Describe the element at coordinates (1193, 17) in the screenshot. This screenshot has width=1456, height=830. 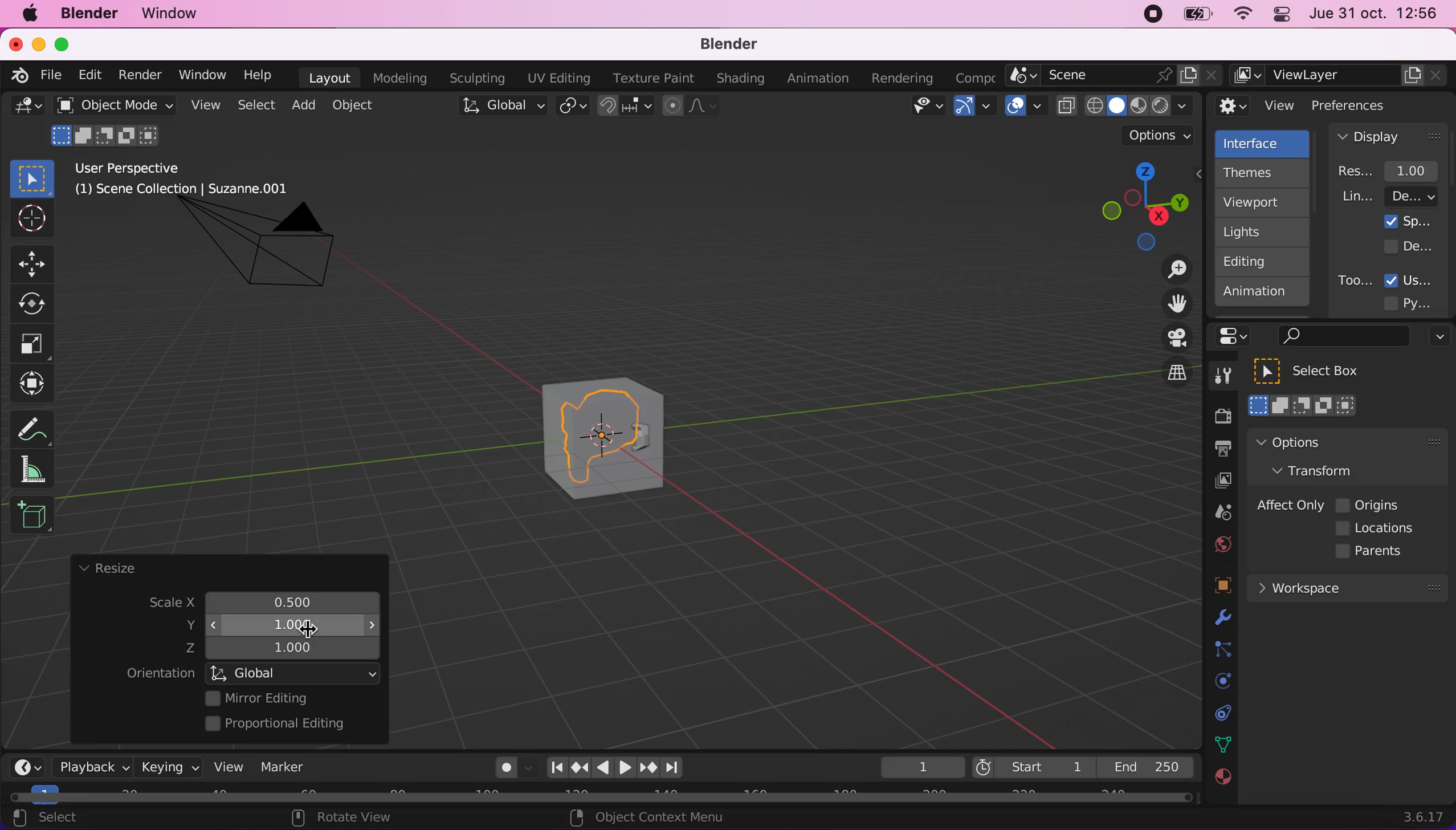
I see `battery` at that location.